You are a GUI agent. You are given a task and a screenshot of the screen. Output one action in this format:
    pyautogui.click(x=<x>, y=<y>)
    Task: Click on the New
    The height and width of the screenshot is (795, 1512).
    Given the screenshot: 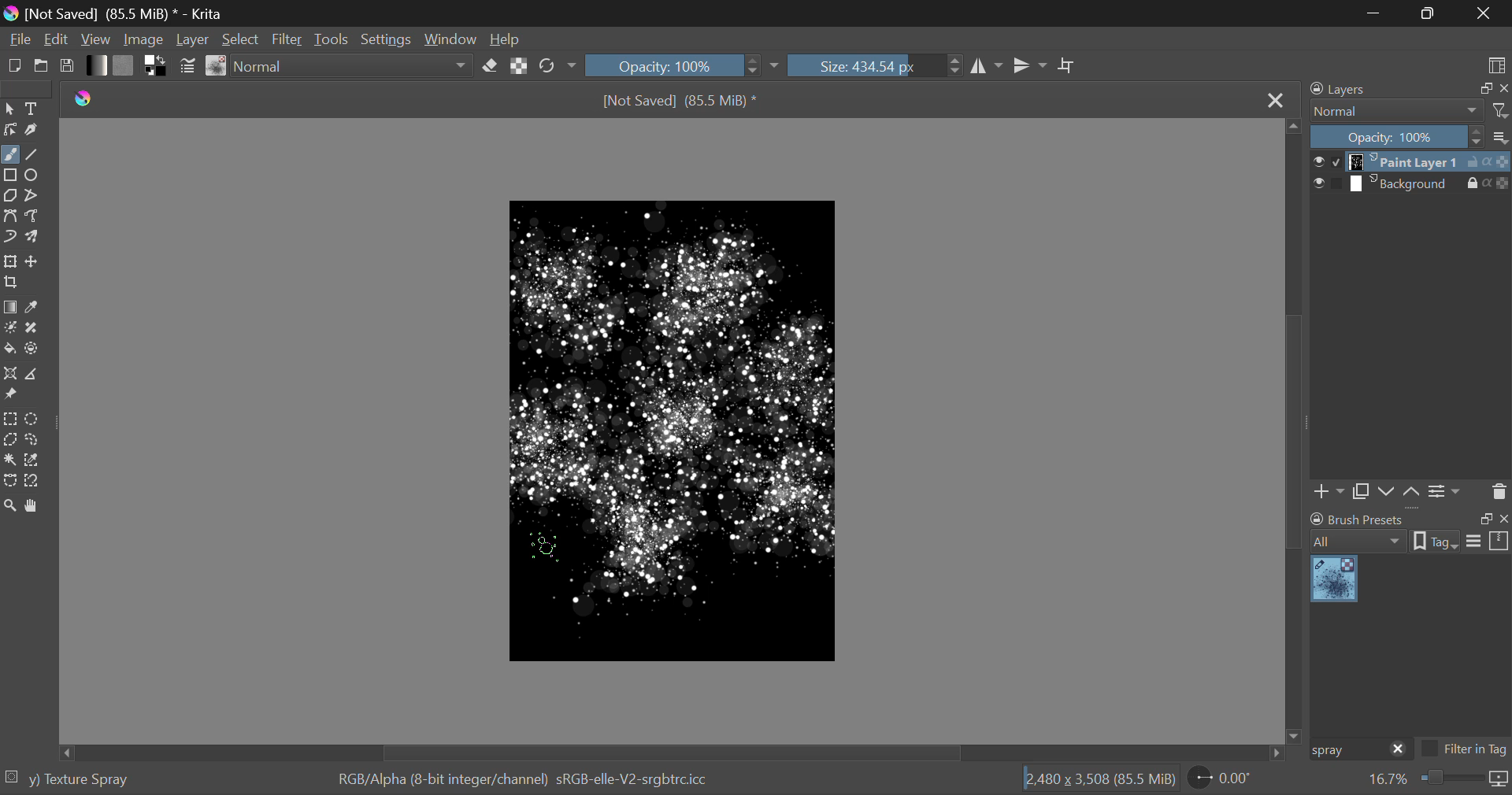 What is the action you would take?
    pyautogui.click(x=14, y=65)
    